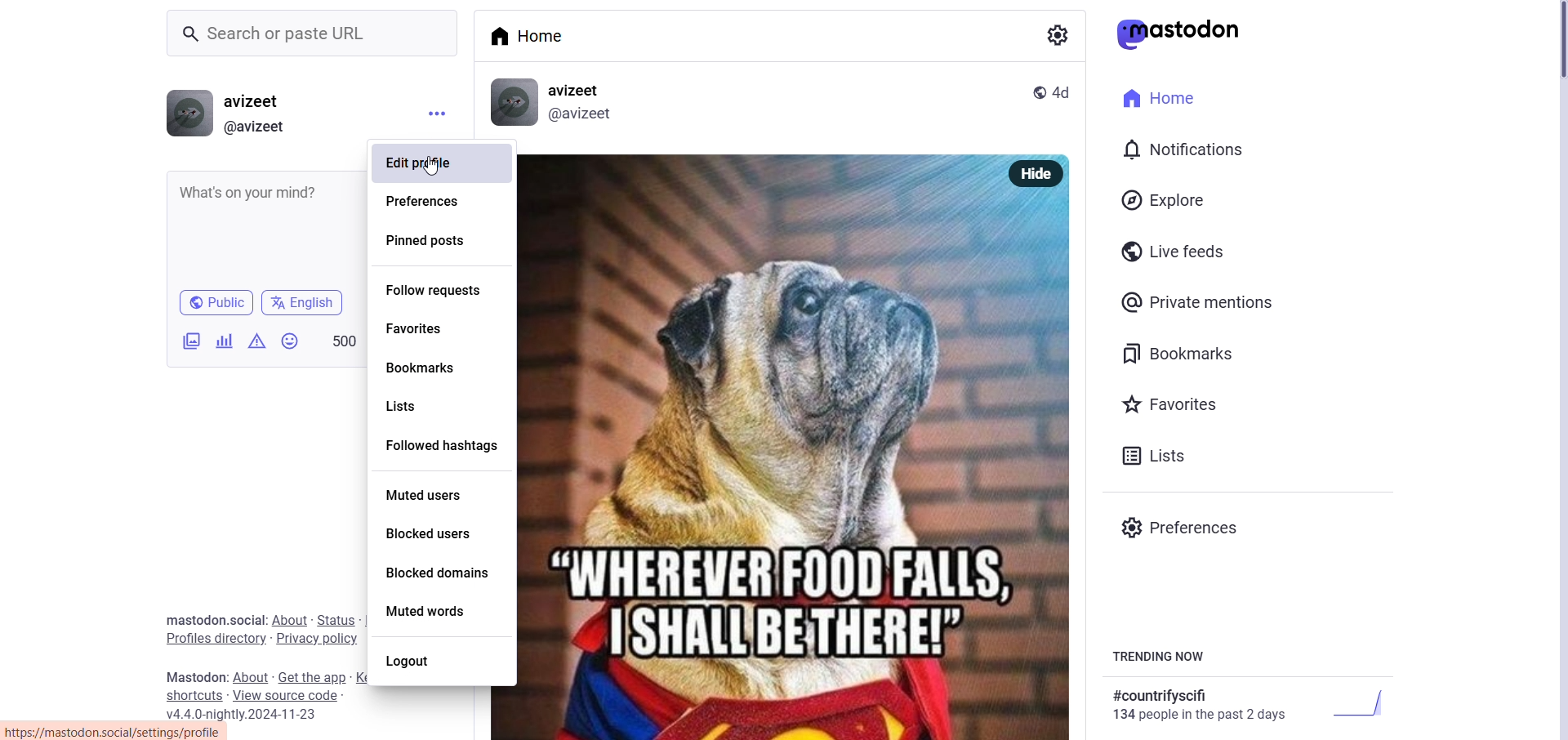 The height and width of the screenshot is (740, 1568). What do you see at coordinates (116, 733) in the screenshot?
I see `link` at bounding box center [116, 733].